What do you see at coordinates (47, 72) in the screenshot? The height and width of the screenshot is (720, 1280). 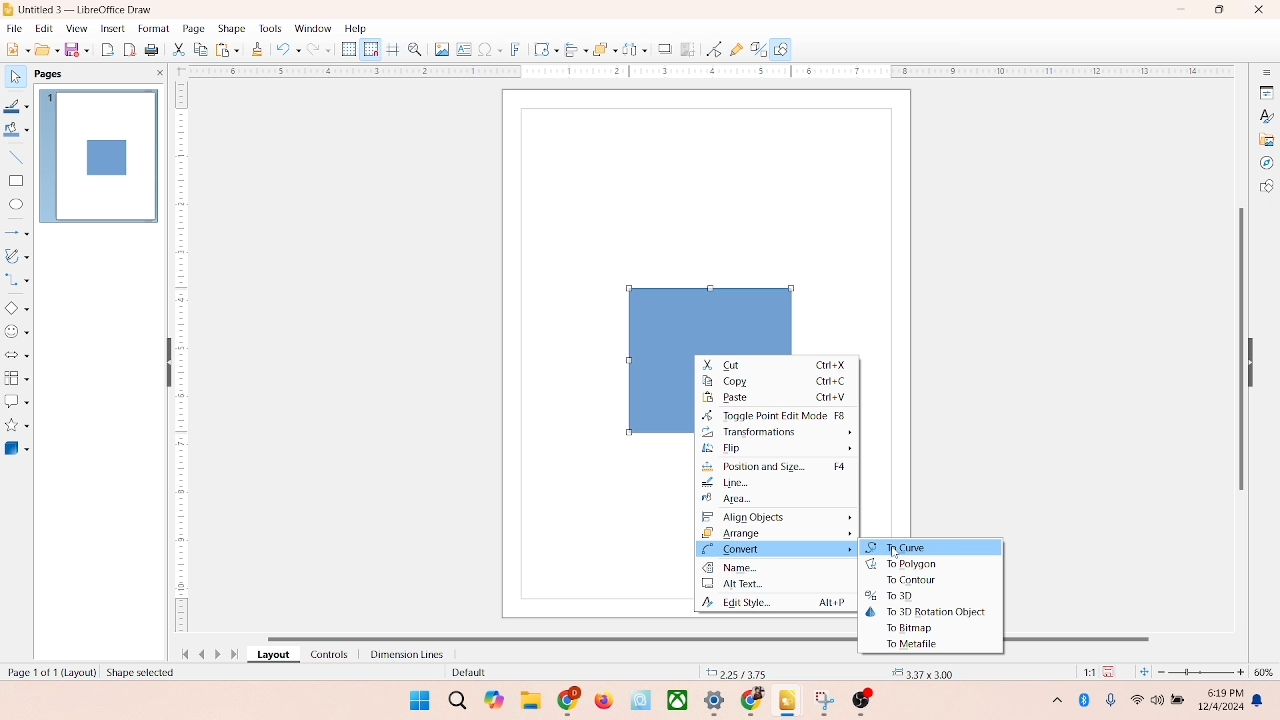 I see `pages` at bounding box center [47, 72].